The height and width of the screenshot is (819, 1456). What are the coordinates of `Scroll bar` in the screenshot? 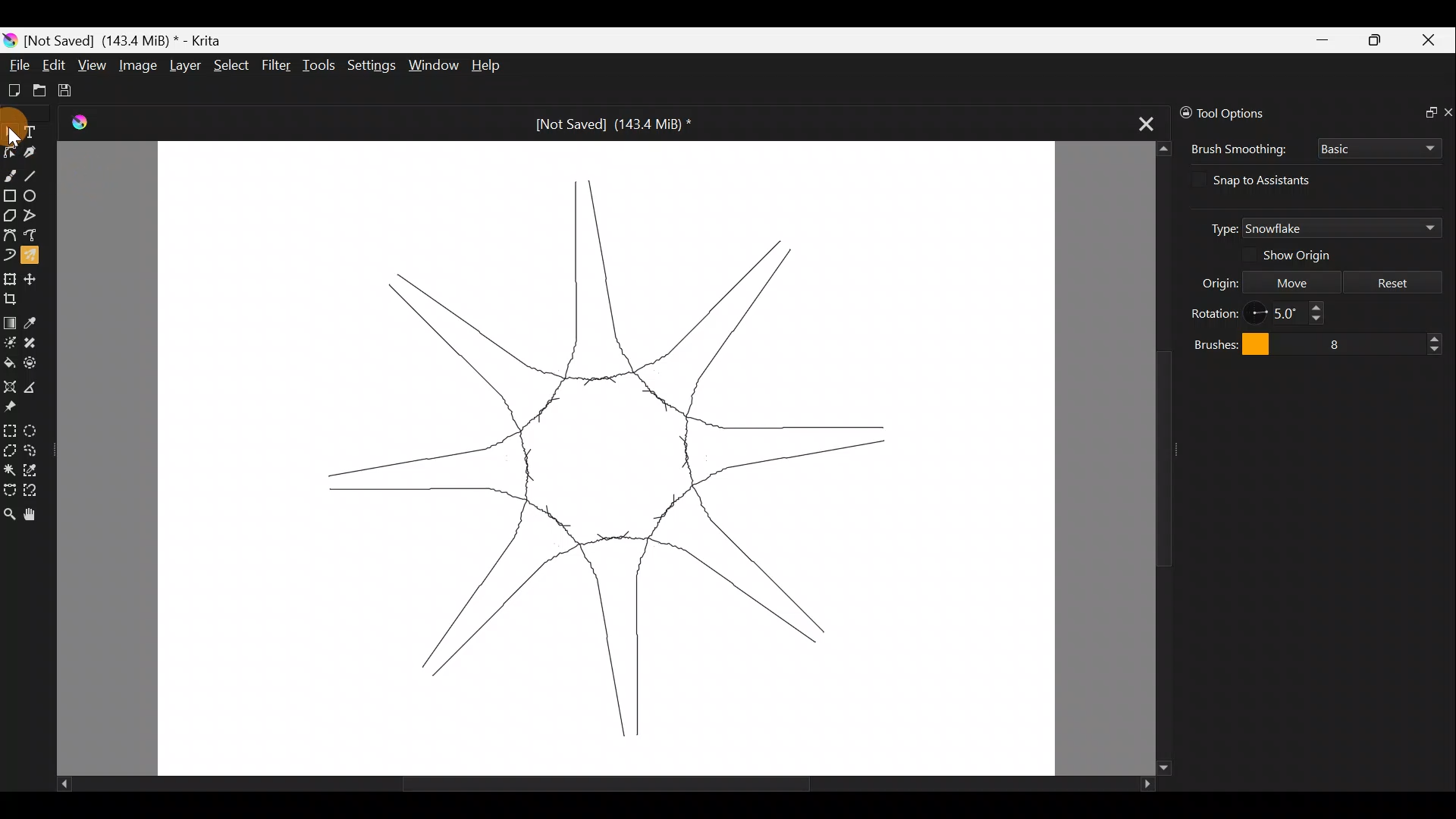 It's located at (1150, 459).